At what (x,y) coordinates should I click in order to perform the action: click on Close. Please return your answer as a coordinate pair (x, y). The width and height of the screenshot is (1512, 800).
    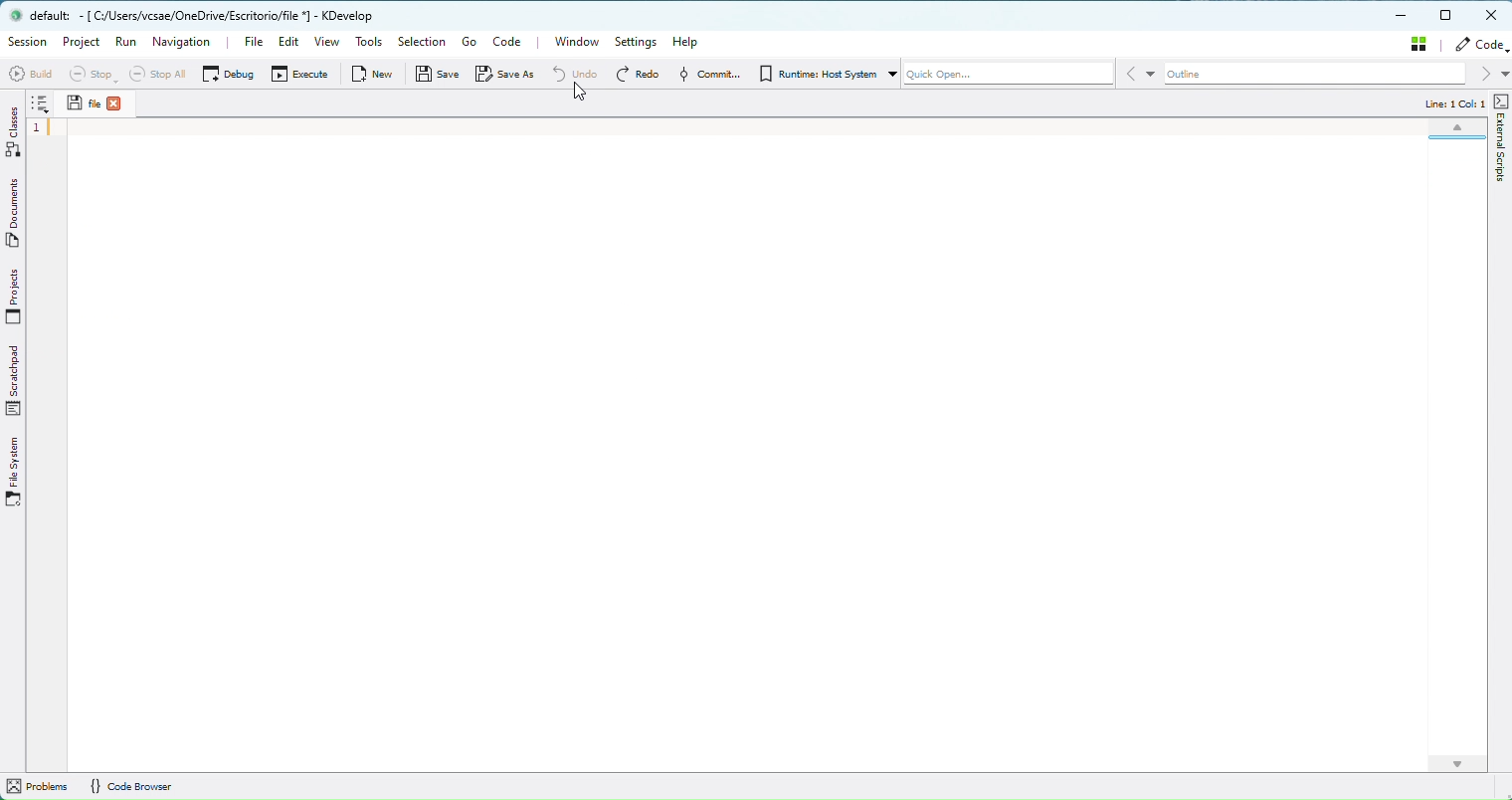
    Looking at the image, I should click on (1490, 13).